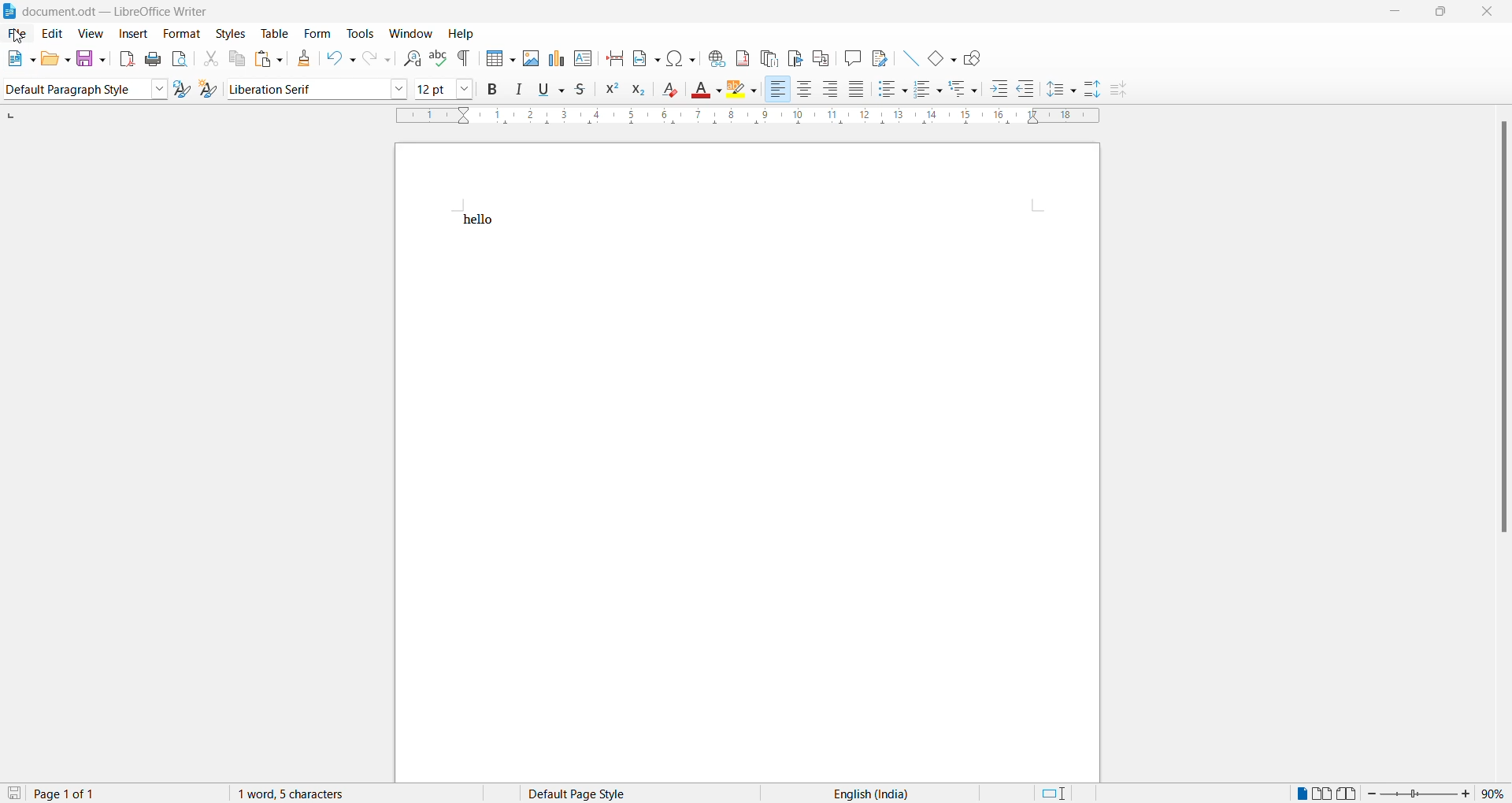 This screenshot has height=803, width=1512. I want to click on Strike through, so click(580, 92).